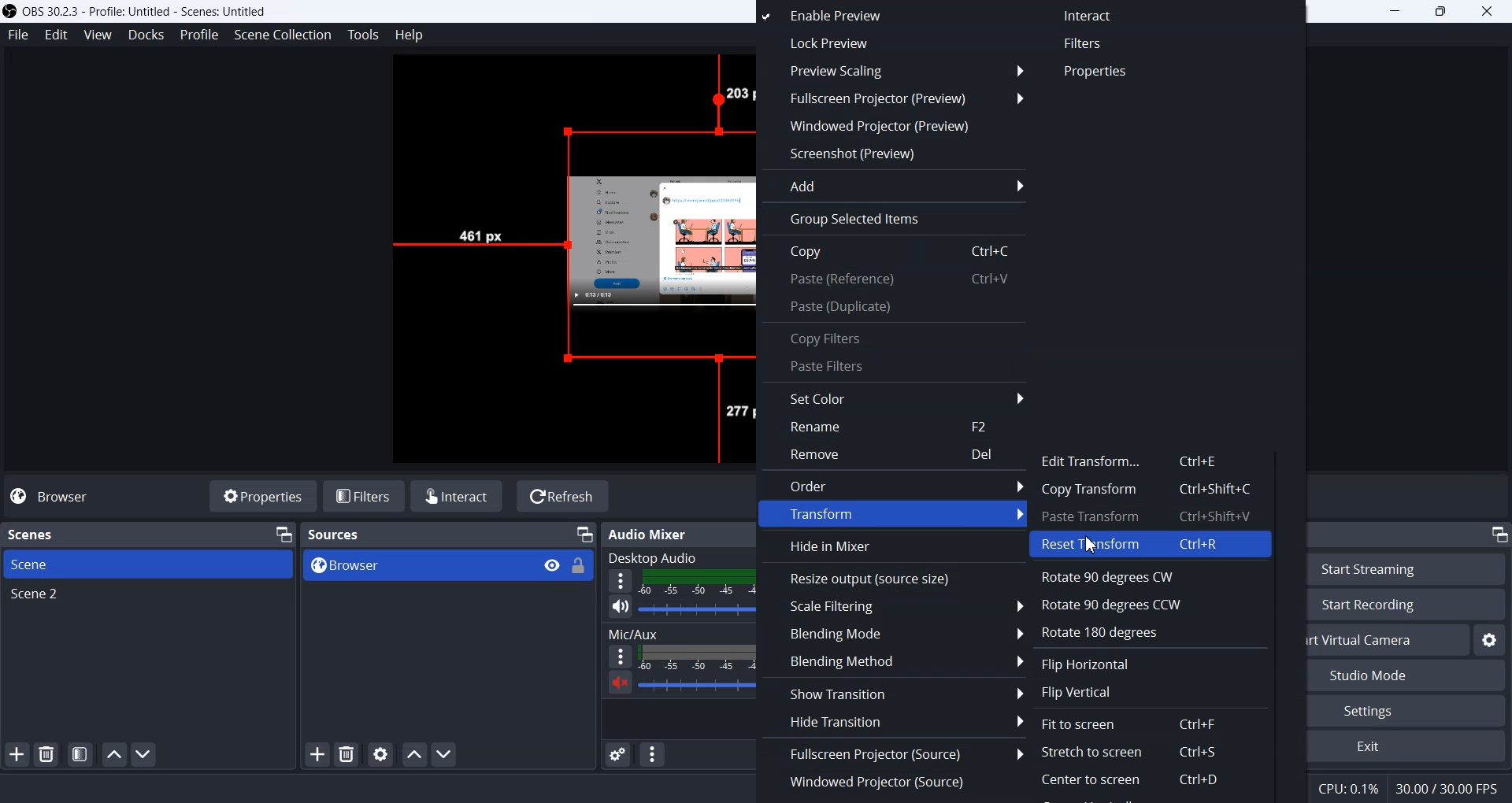 This screenshot has width=1512, height=803. I want to click on Flip Horizontal, so click(1091, 665).